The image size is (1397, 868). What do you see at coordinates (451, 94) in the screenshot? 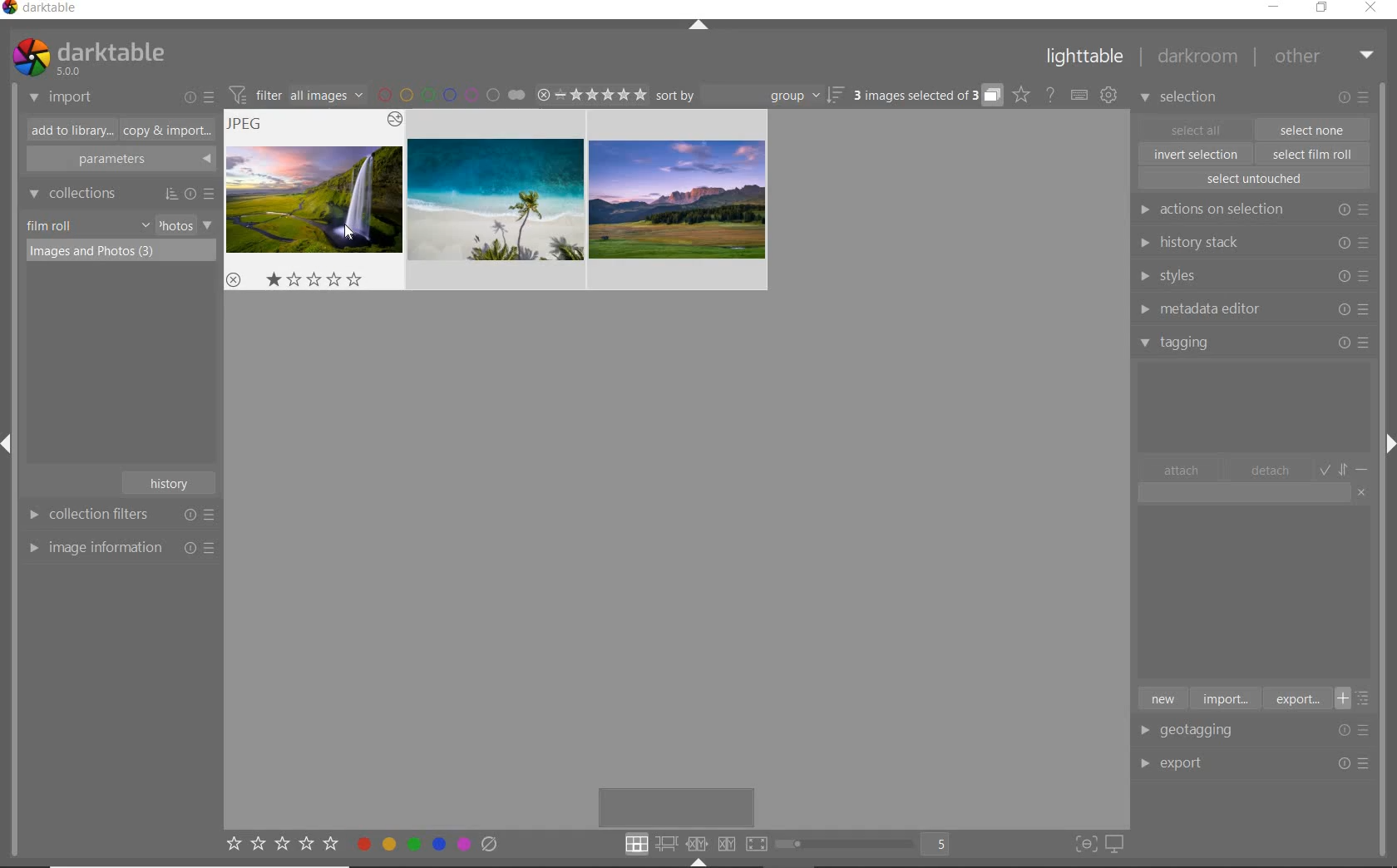
I see `filter by image color label` at bounding box center [451, 94].